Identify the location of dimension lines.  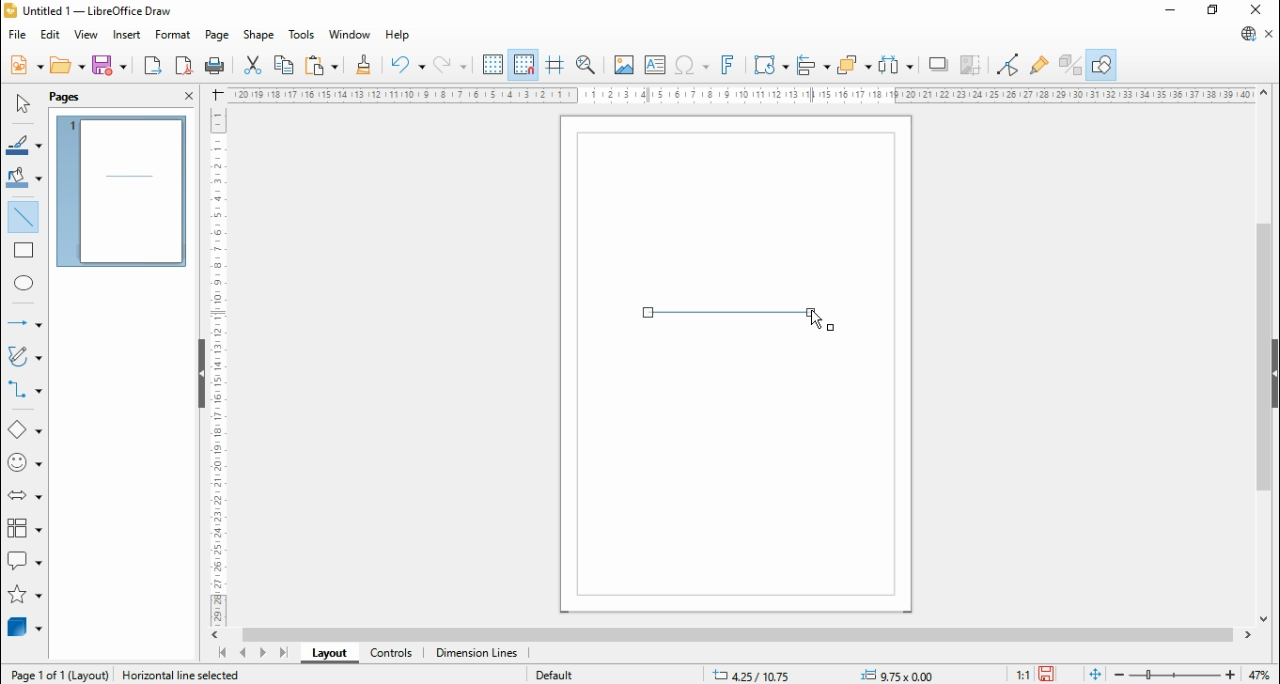
(477, 654).